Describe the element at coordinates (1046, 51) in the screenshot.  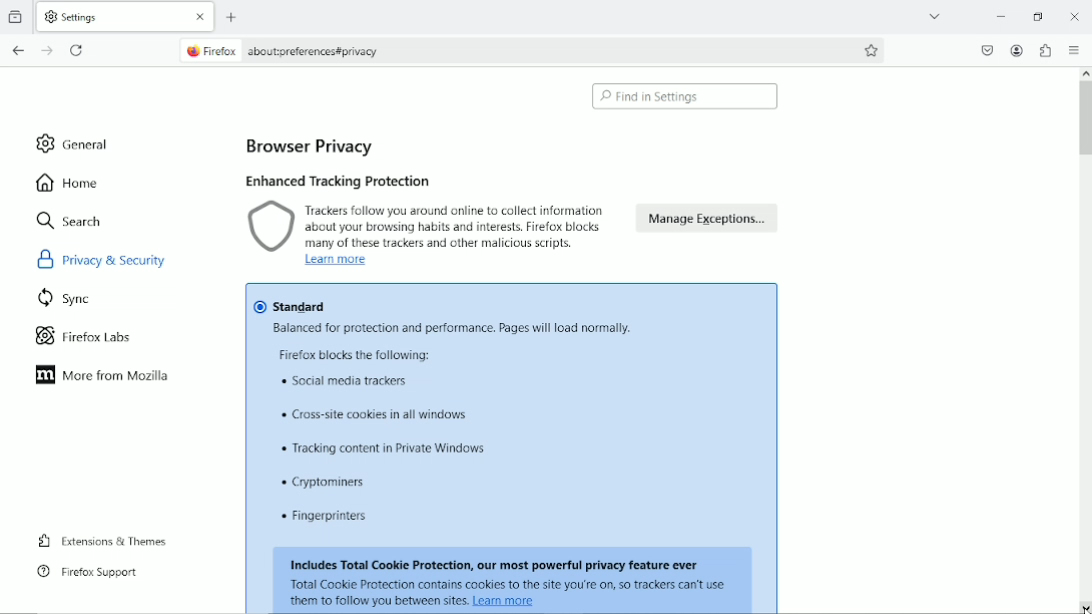
I see `extensions` at that location.